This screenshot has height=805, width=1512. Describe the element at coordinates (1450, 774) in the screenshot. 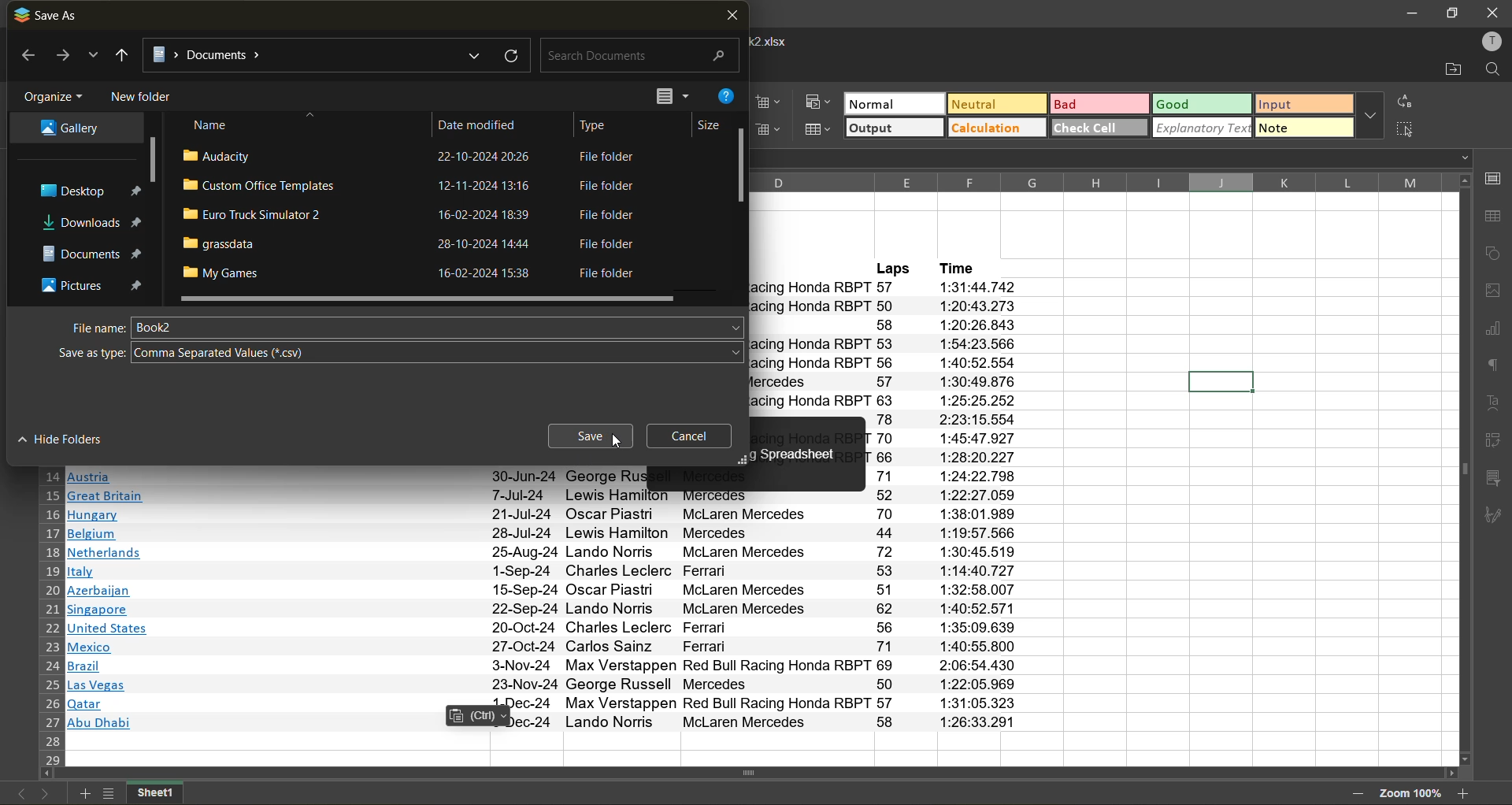

I see `move right` at that location.